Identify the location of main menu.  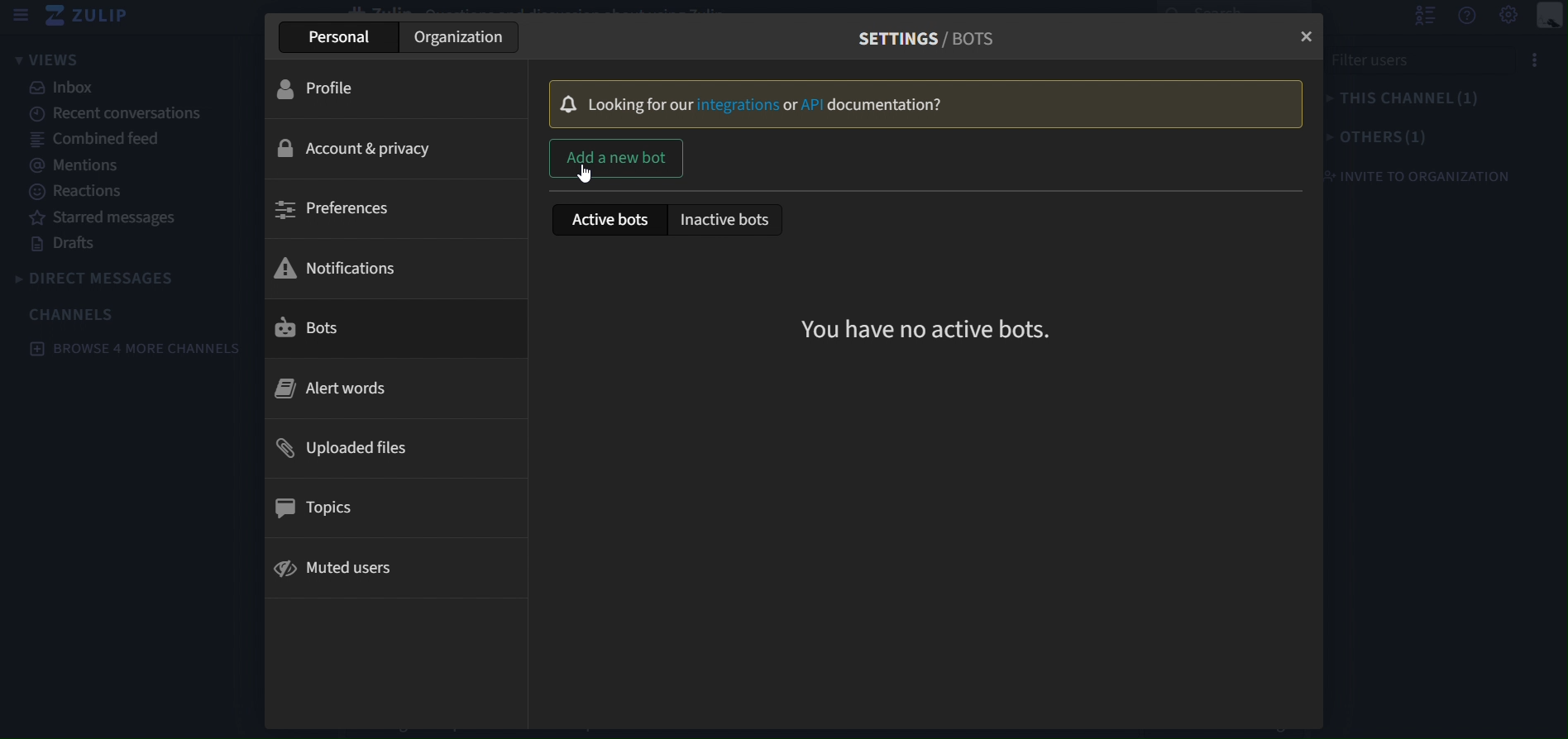
(1549, 17).